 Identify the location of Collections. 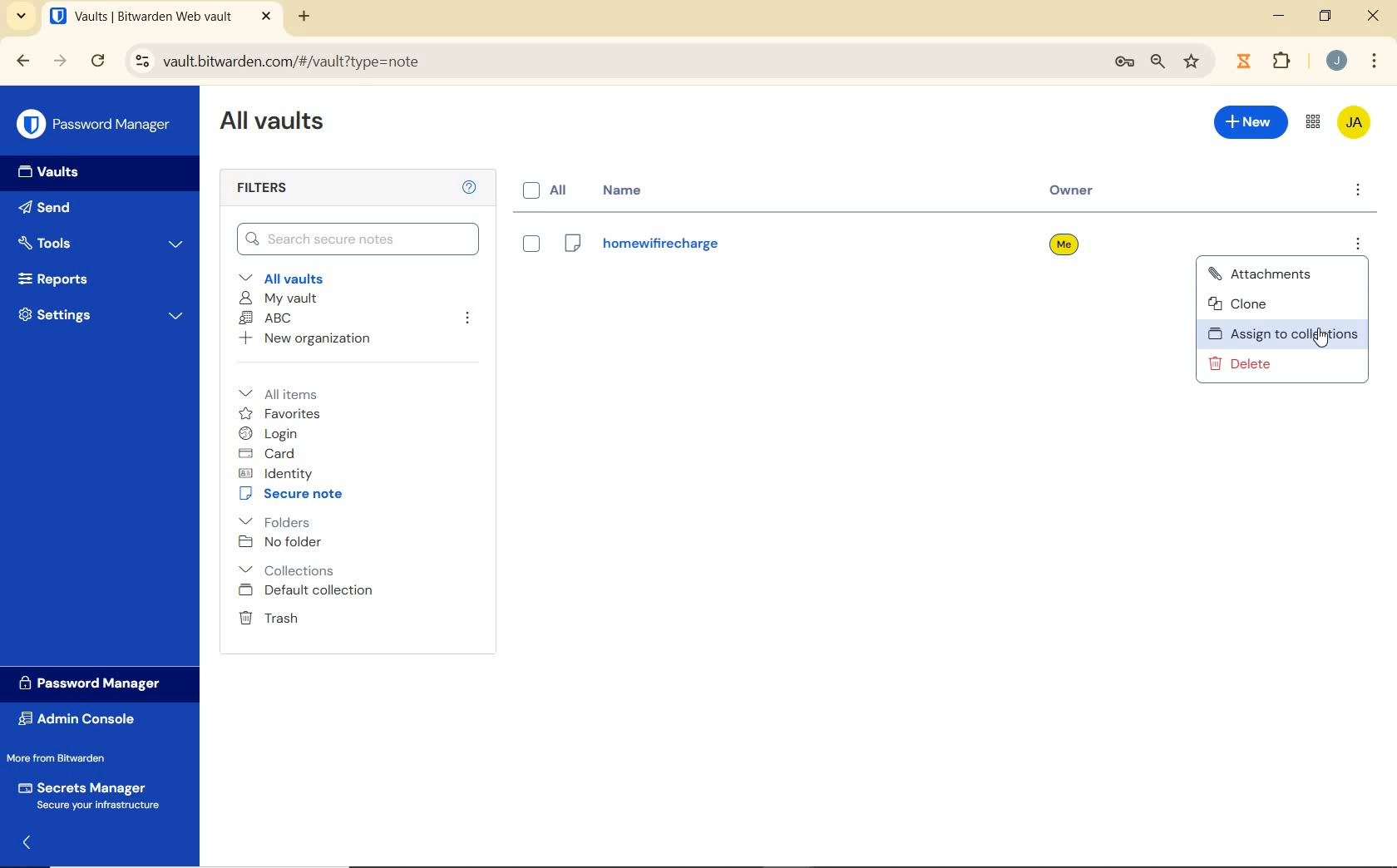
(290, 570).